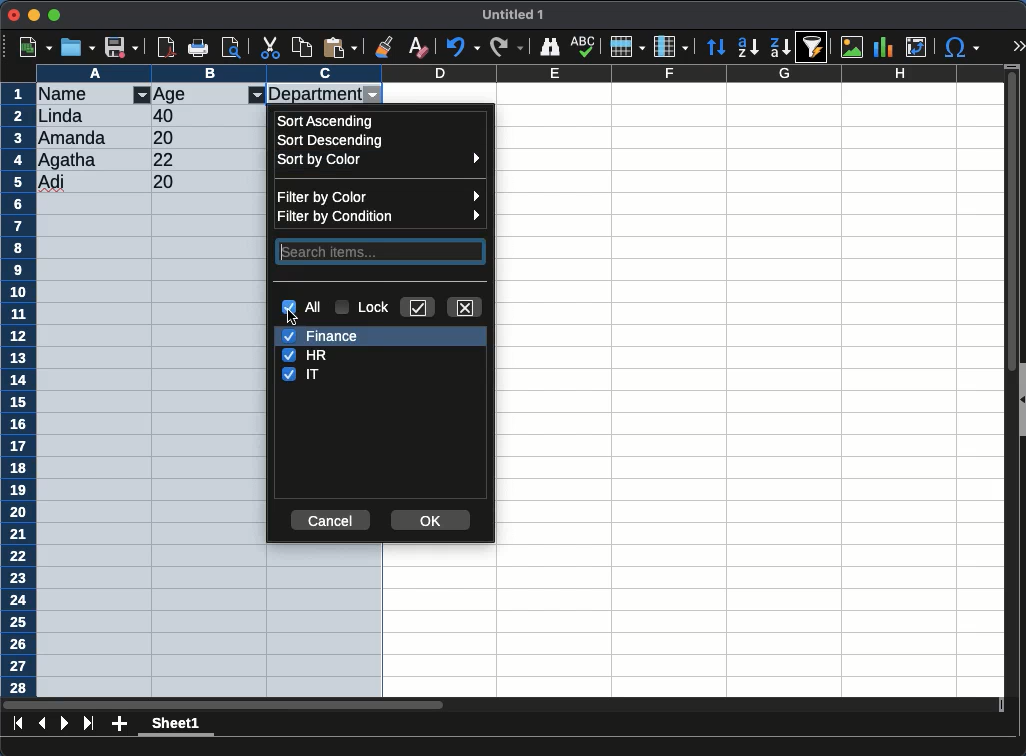 This screenshot has height=756, width=1026. I want to click on age, so click(173, 95).